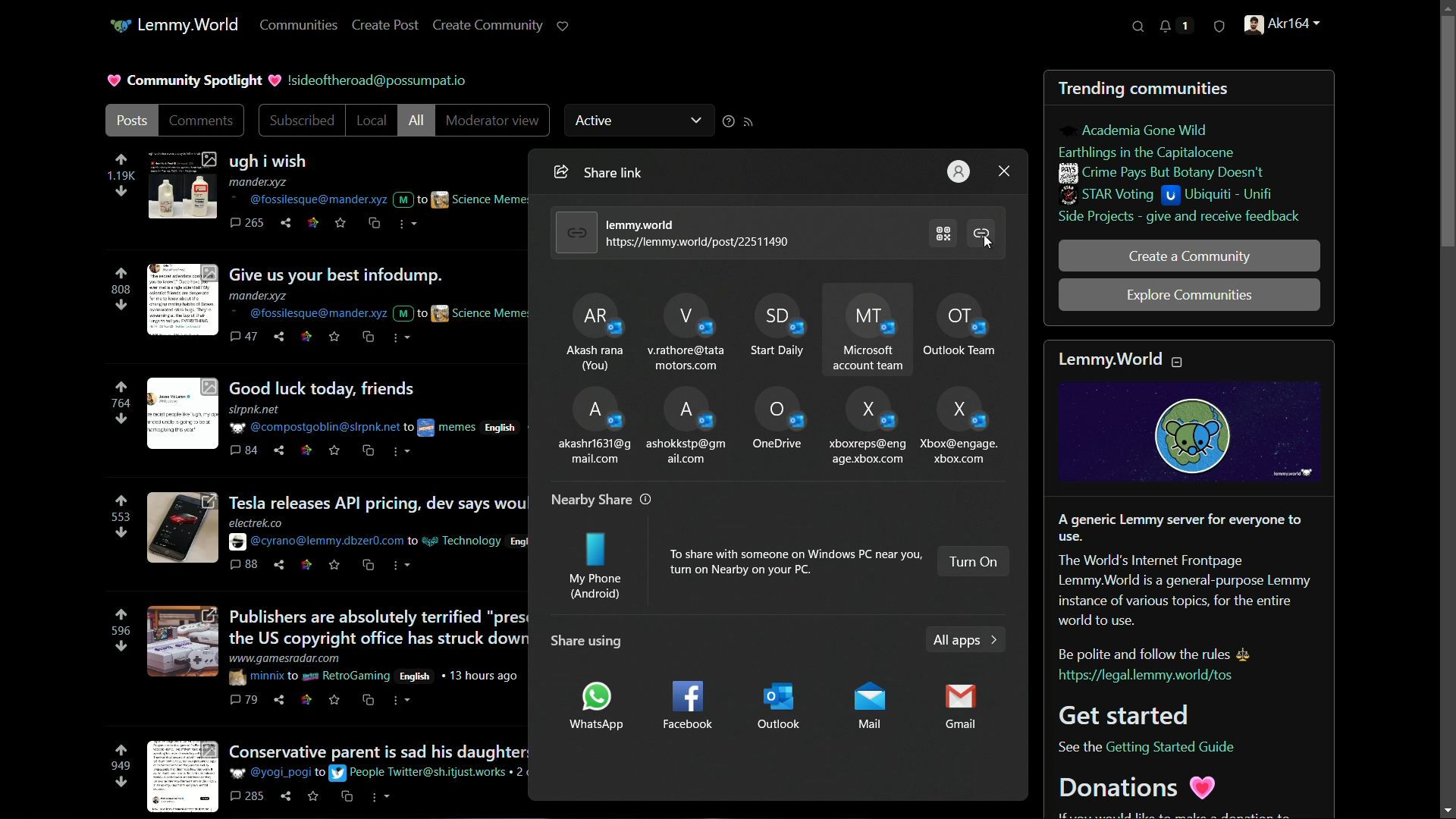 The height and width of the screenshot is (819, 1456). Describe the element at coordinates (243, 565) in the screenshot. I see `88 comments` at that location.